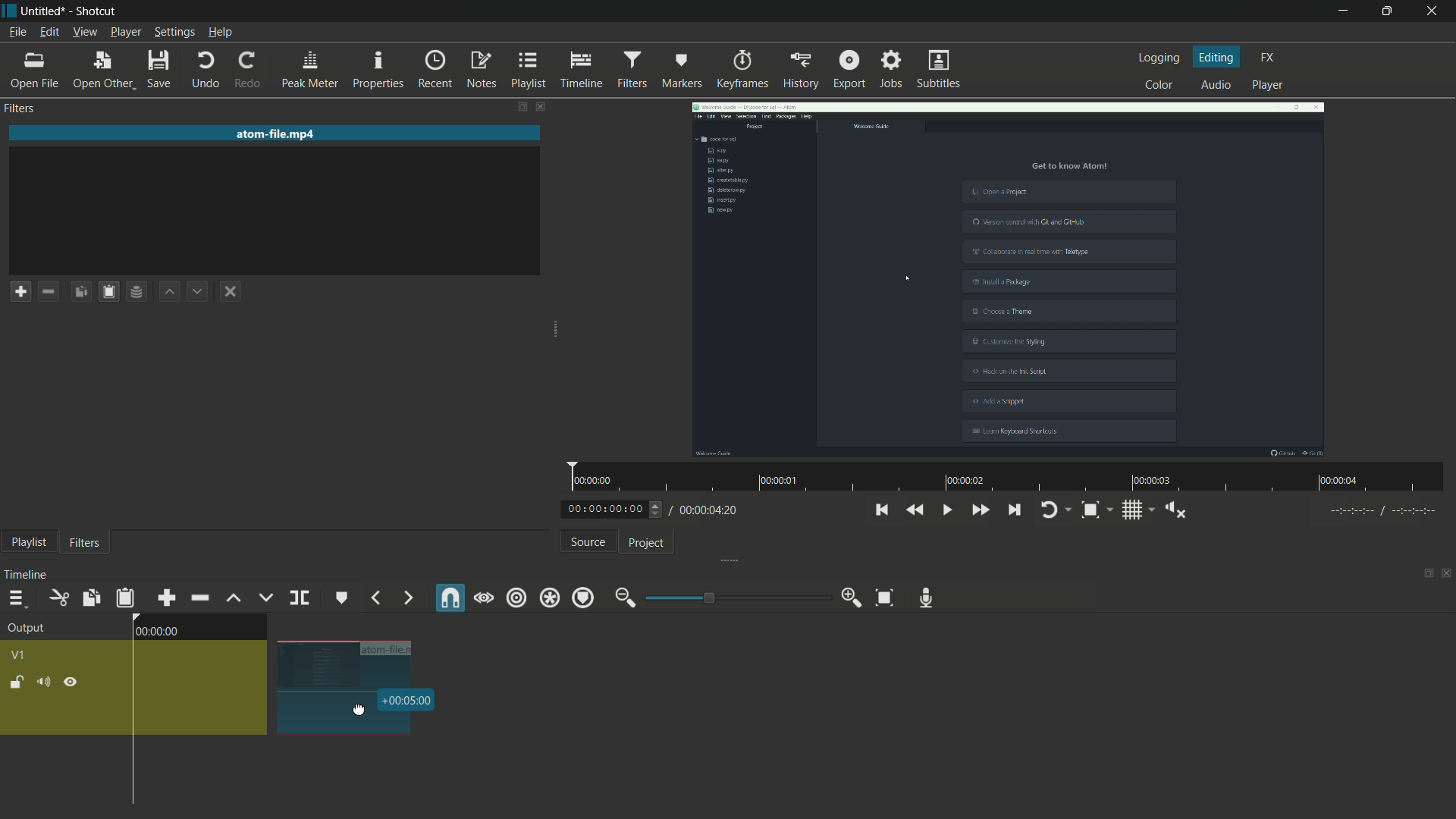  What do you see at coordinates (126, 32) in the screenshot?
I see `player menu` at bounding box center [126, 32].